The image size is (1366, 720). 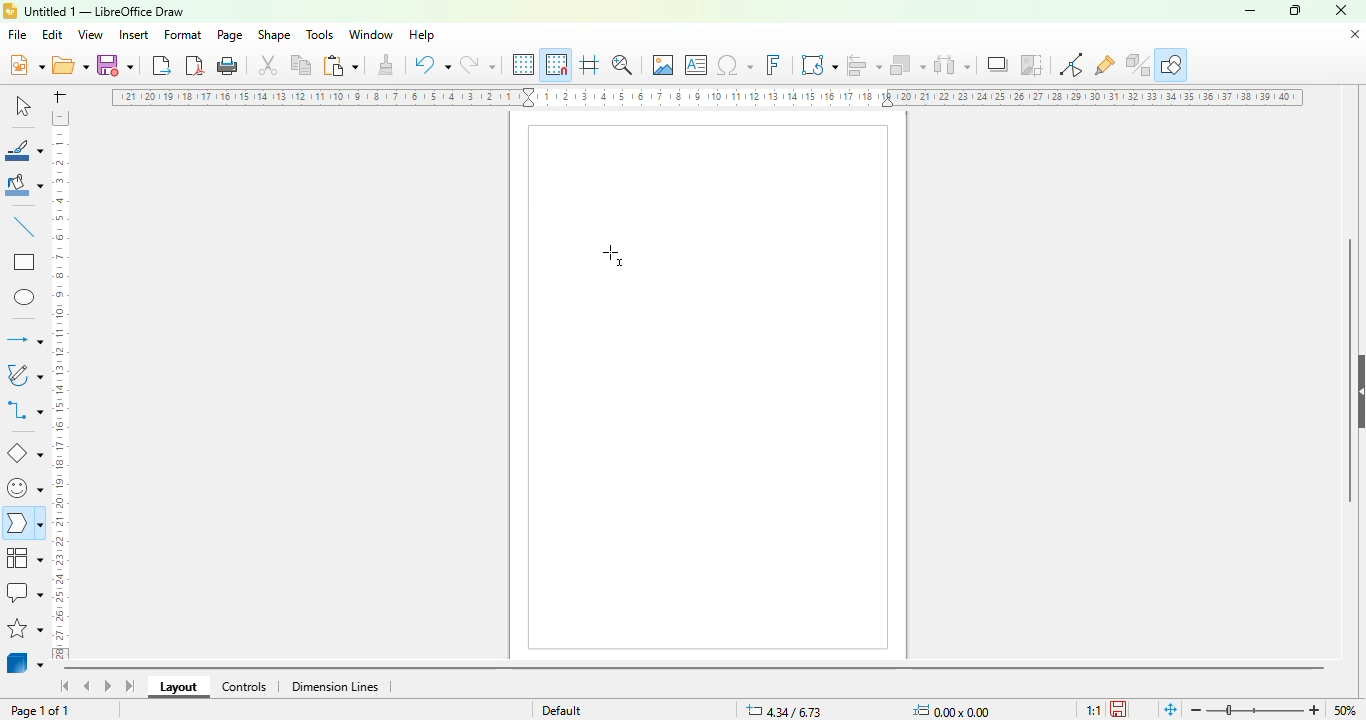 I want to click on format, so click(x=184, y=34).